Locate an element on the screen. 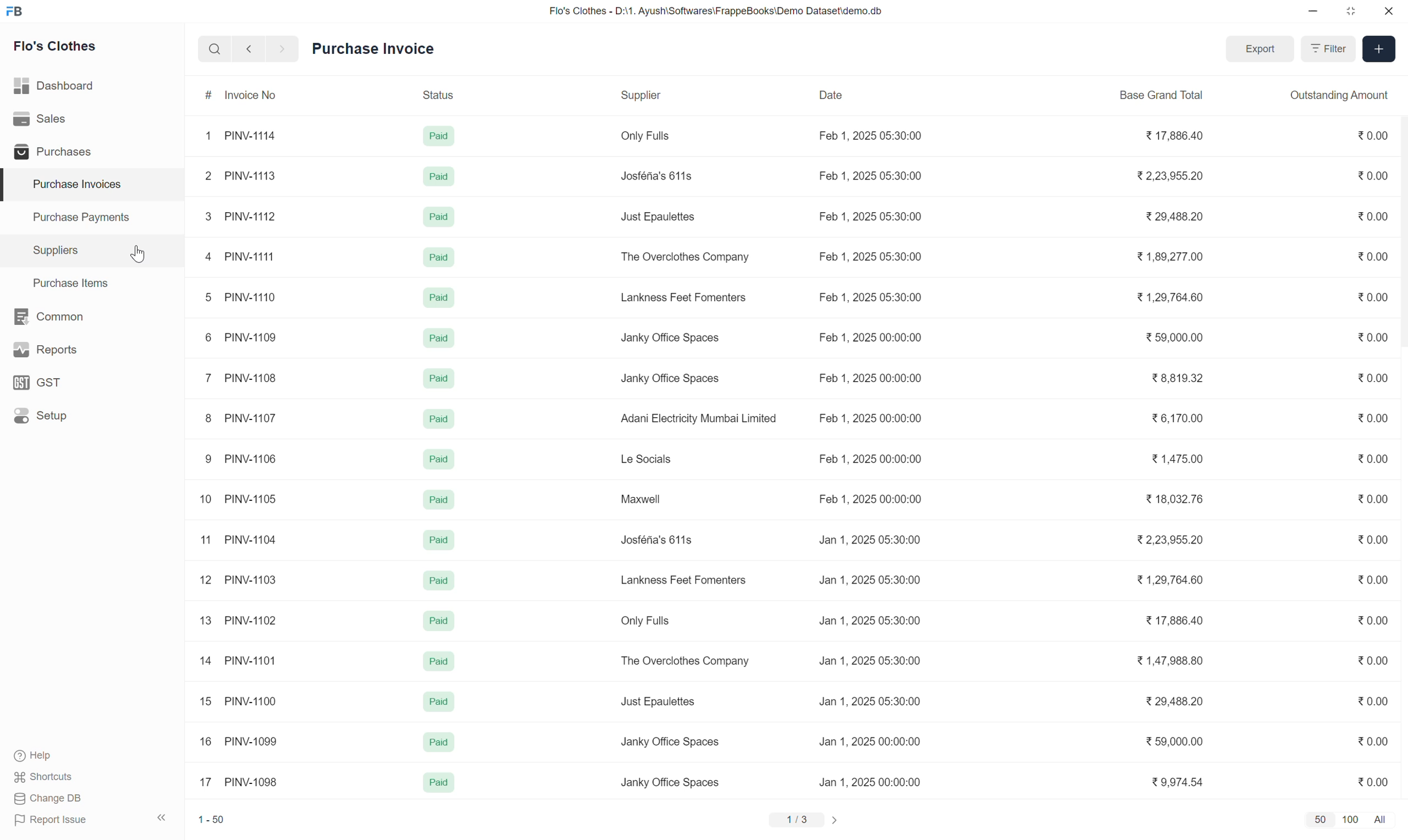  Janky Office Spaces is located at coordinates (668, 337).